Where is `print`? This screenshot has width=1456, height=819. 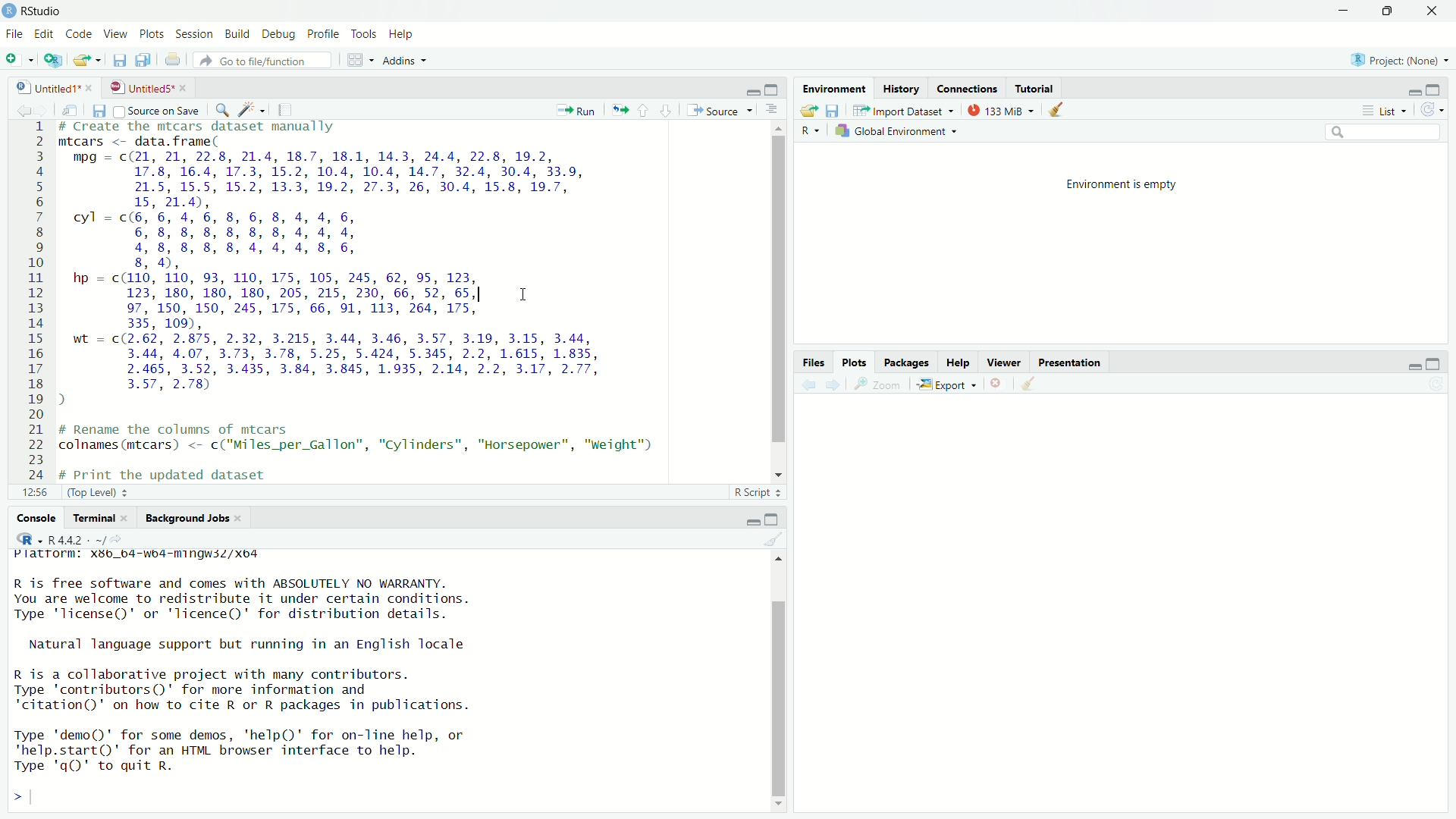 print is located at coordinates (173, 61).